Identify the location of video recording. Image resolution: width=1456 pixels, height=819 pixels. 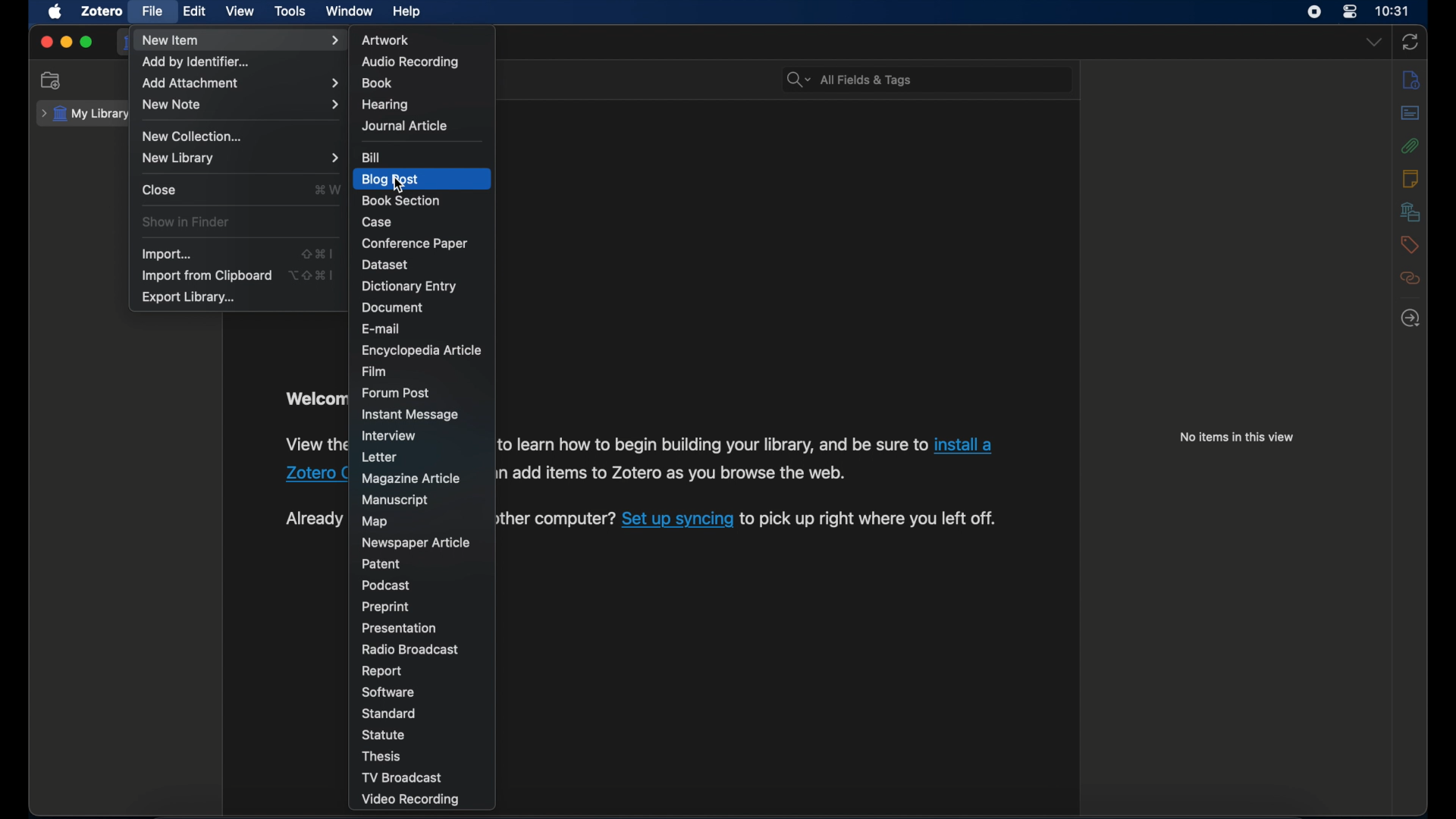
(413, 800).